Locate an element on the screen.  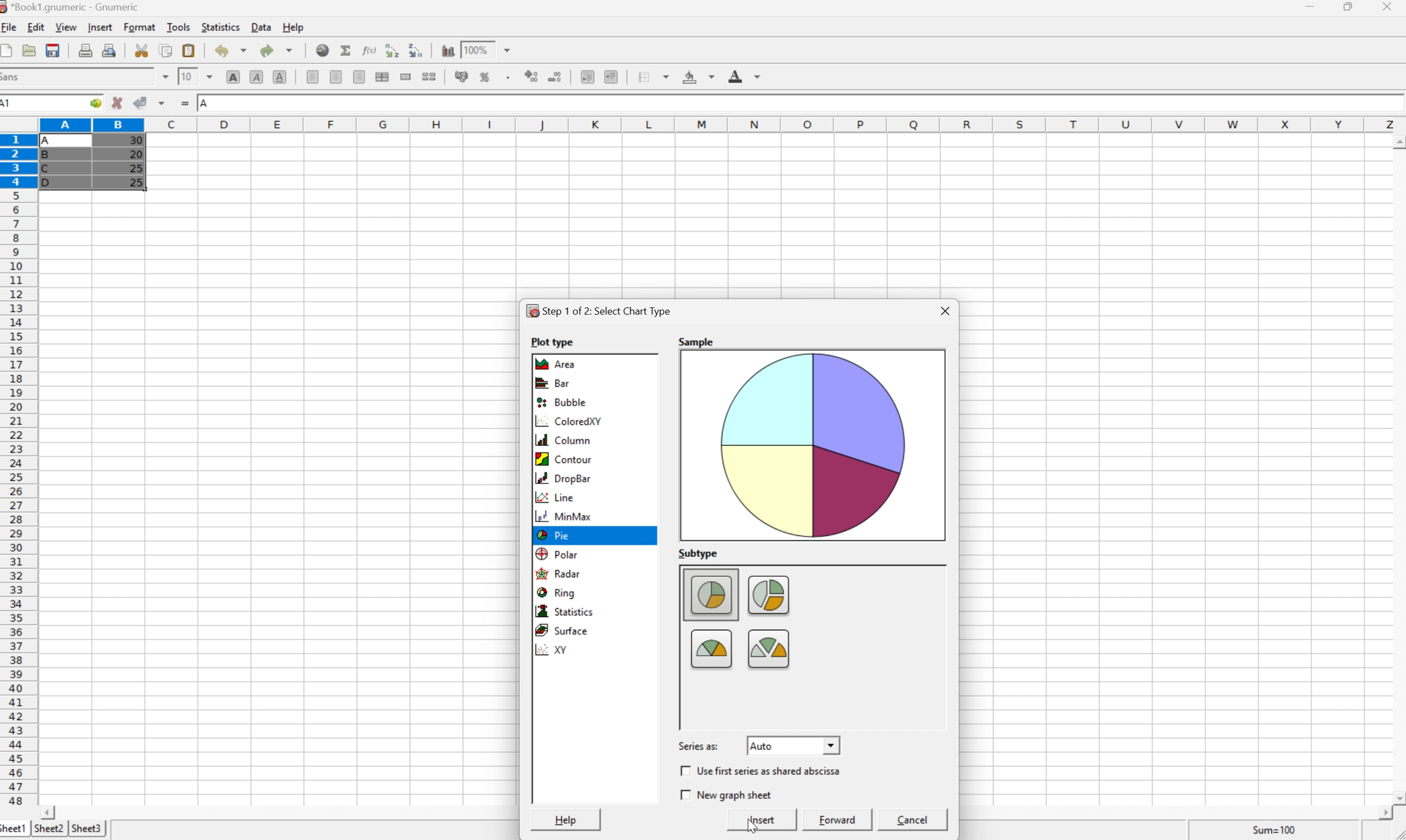
Step 1 of 2: Select Chart Type is located at coordinates (599, 311).